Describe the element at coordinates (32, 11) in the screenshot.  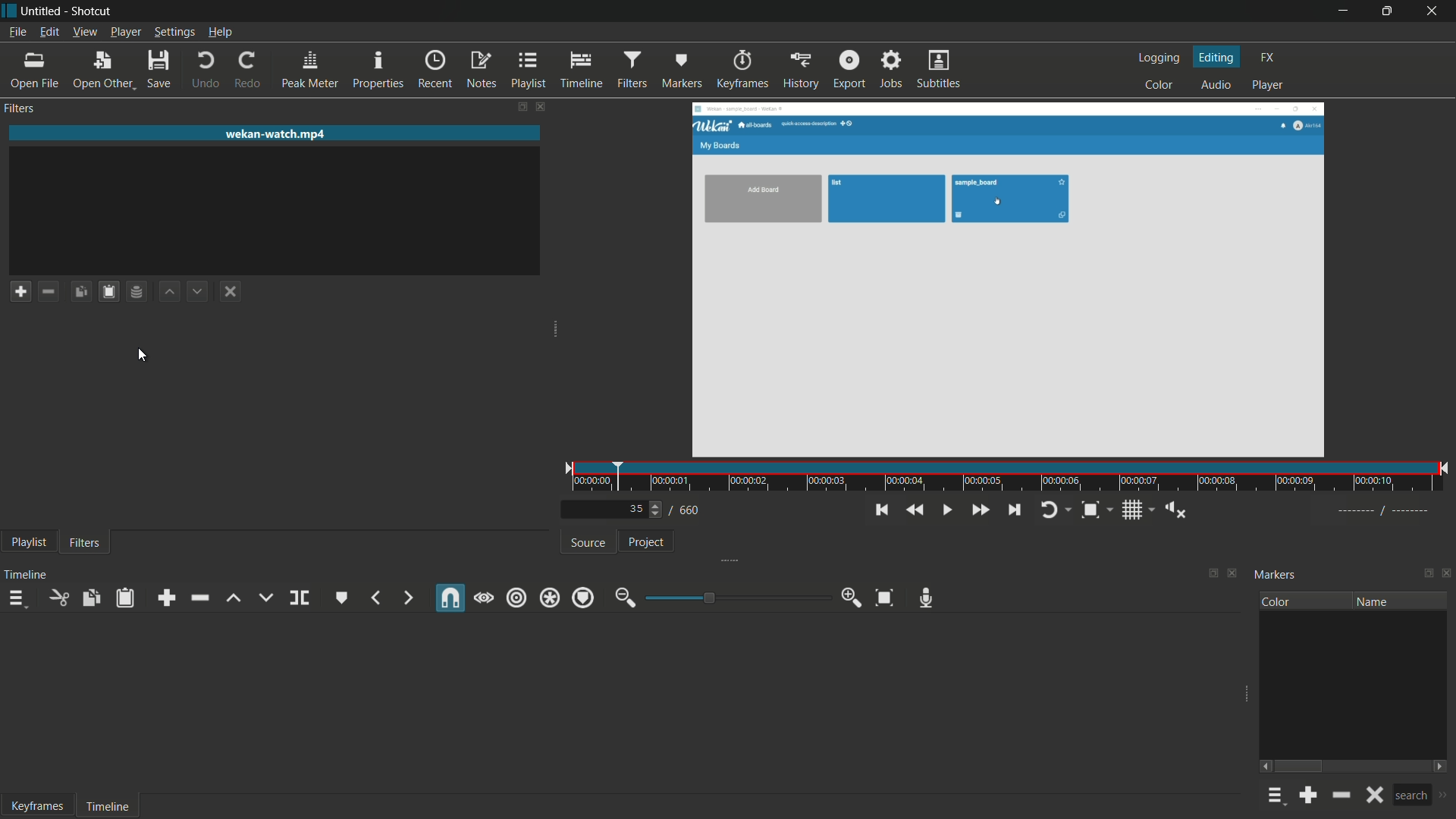
I see `project name` at that location.